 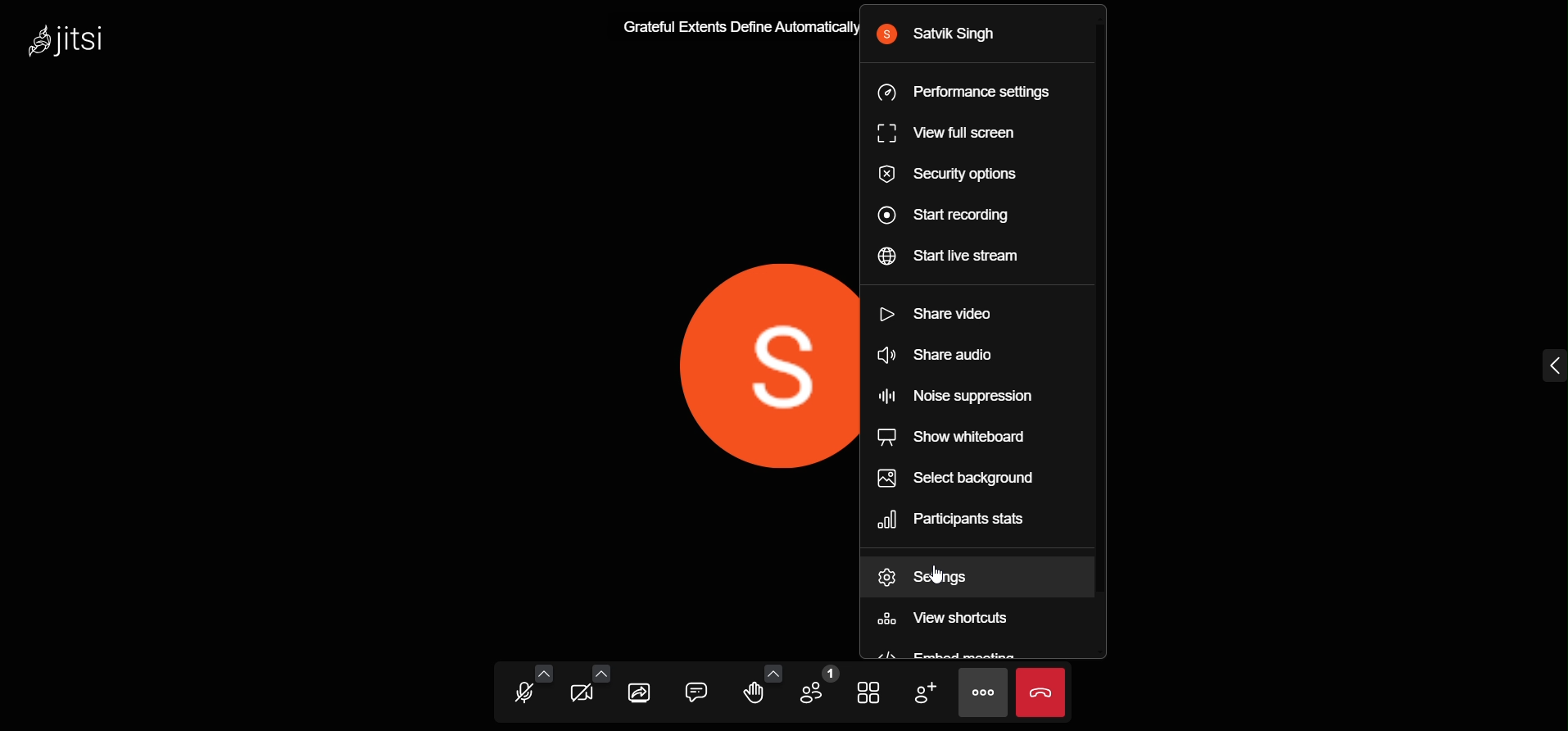 I want to click on start recording, so click(x=946, y=218).